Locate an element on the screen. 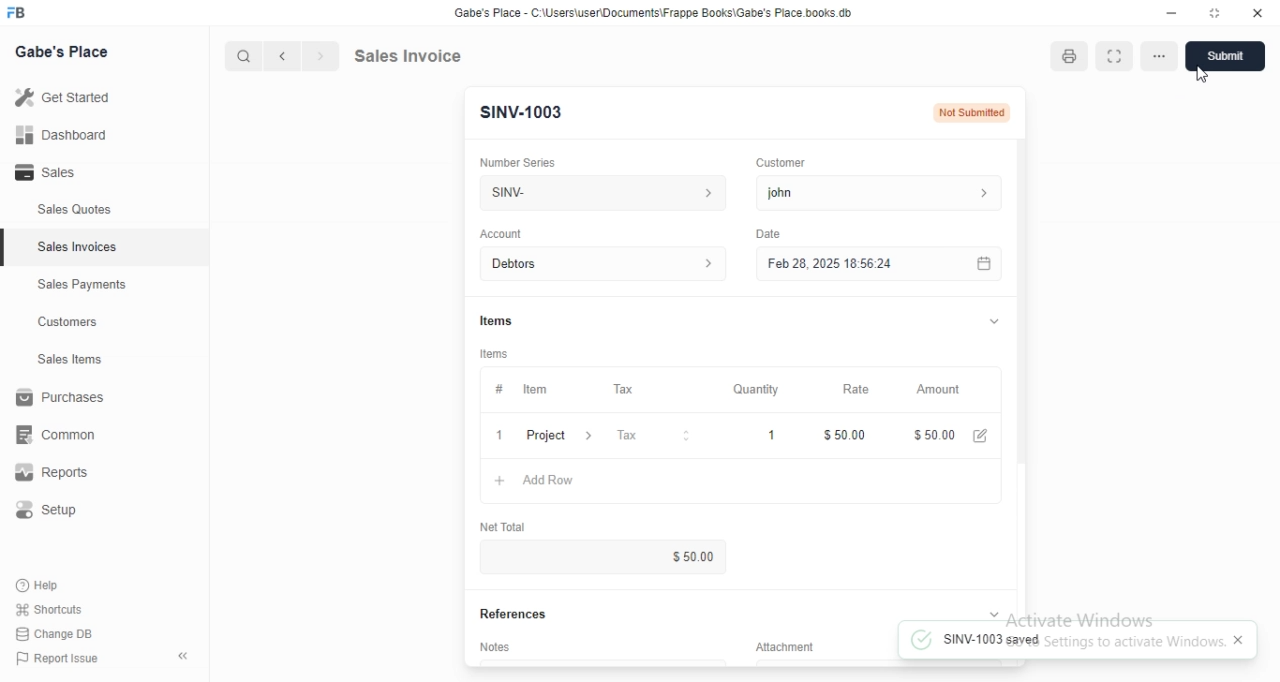 This screenshot has height=682, width=1280. Customers. is located at coordinates (62, 324).